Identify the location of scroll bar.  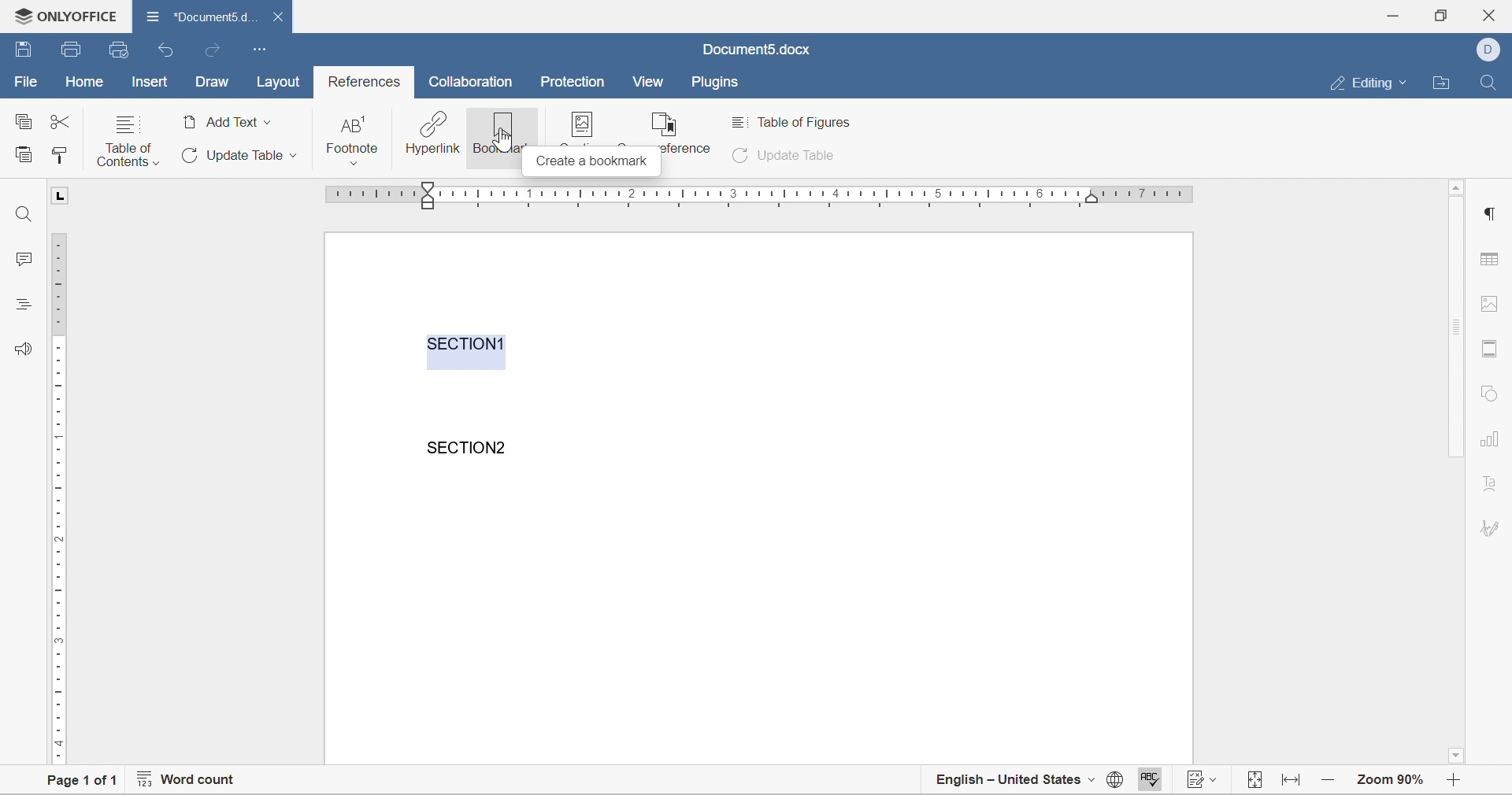
(1458, 327).